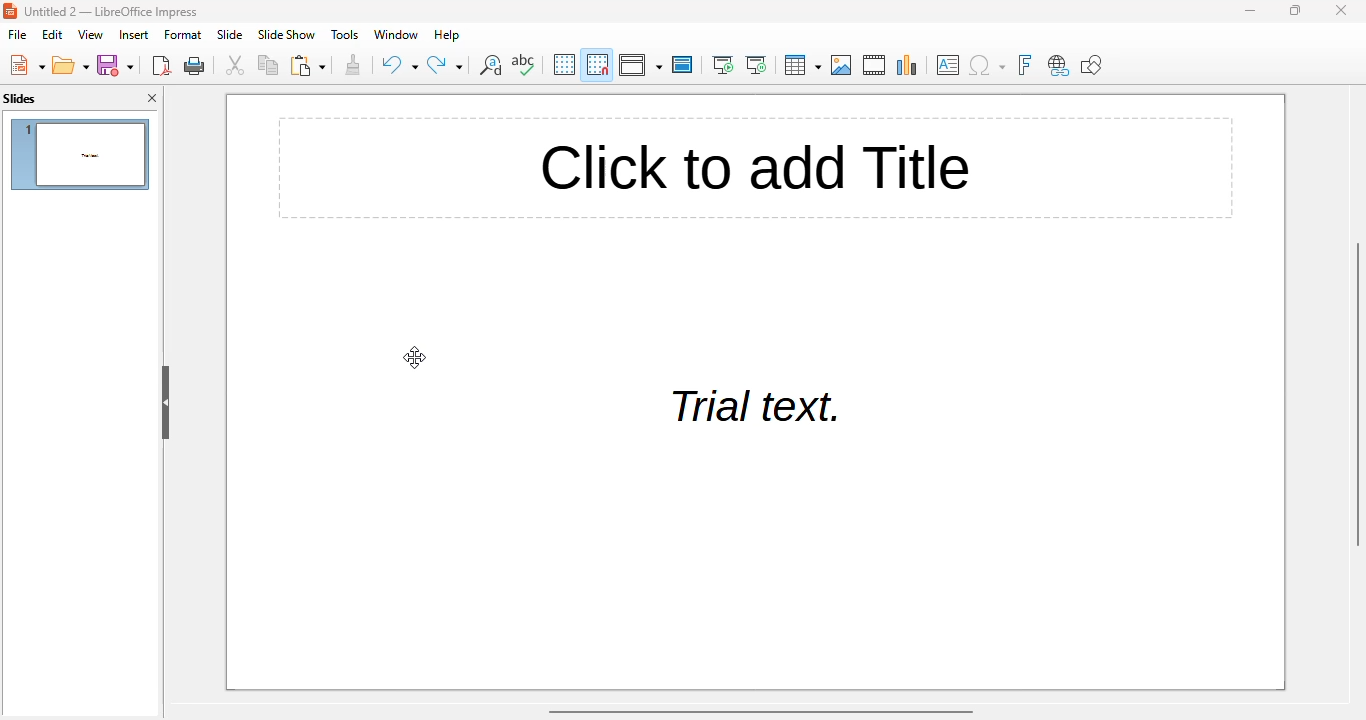  What do you see at coordinates (843, 65) in the screenshot?
I see `insert image` at bounding box center [843, 65].